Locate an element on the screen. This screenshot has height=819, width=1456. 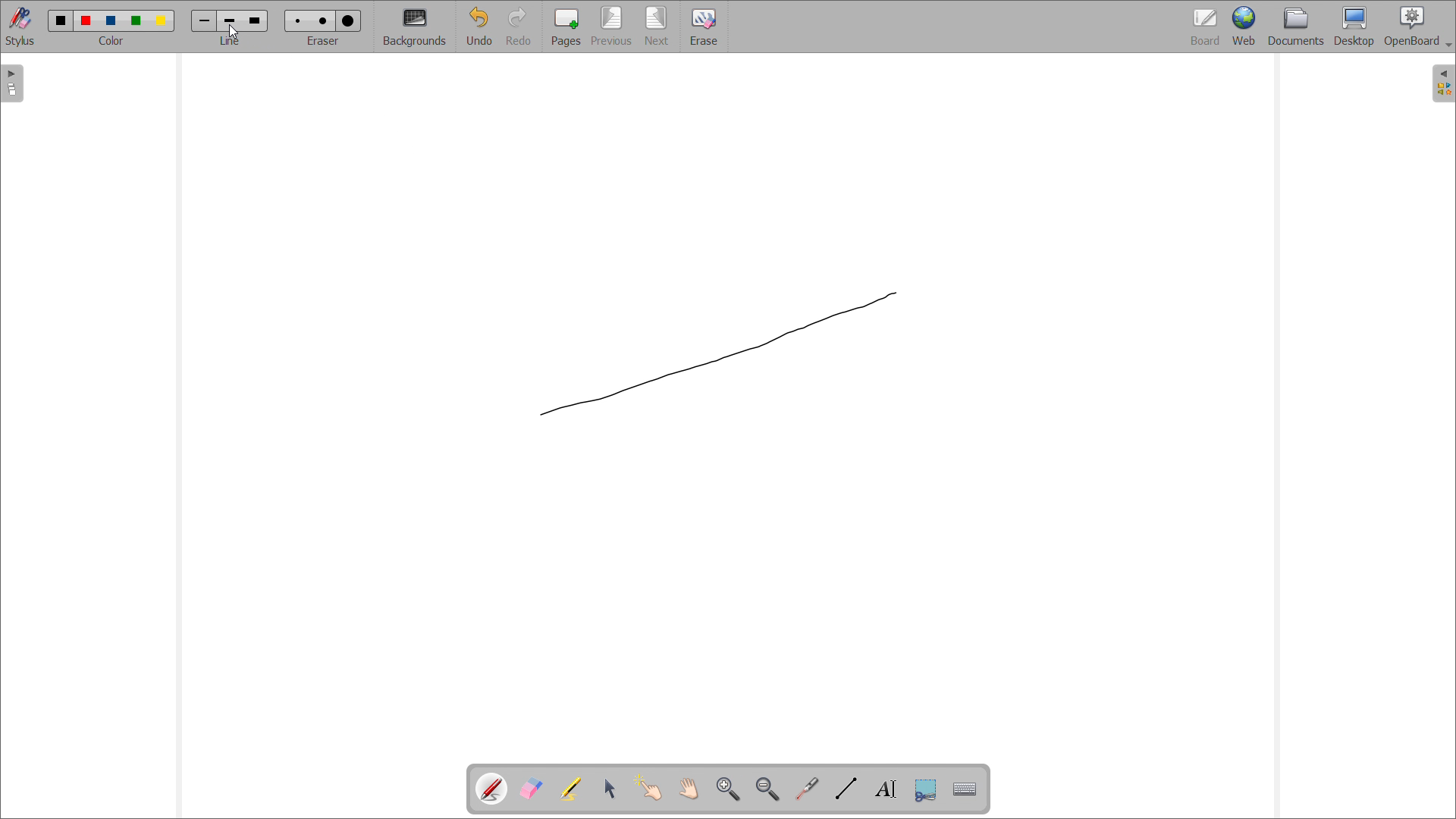
select and modify objects is located at coordinates (610, 789).